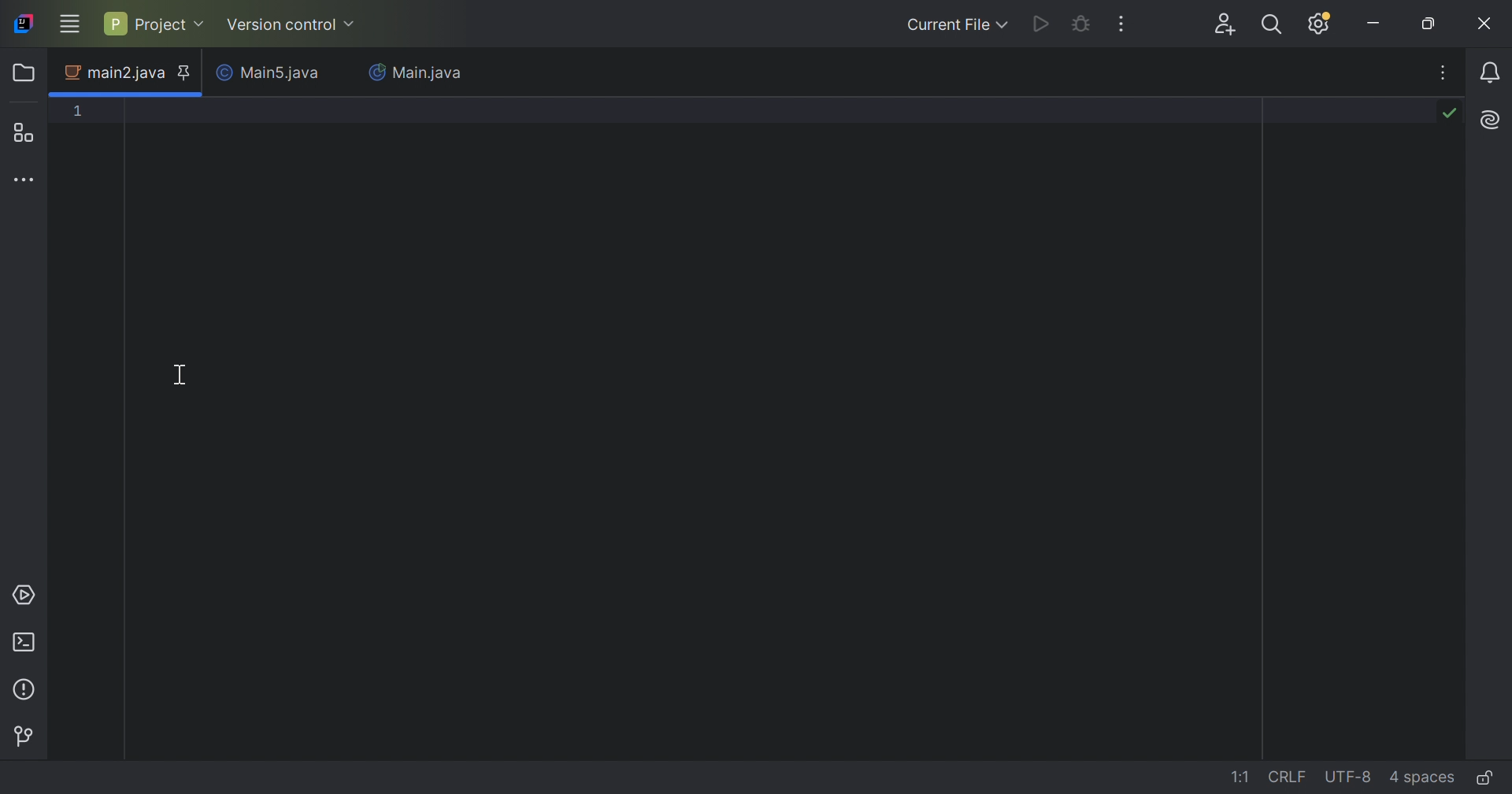 The image size is (1512, 794). Describe the element at coordinates (1374, 24) in the screenshot. I see `Minimize` at that location.